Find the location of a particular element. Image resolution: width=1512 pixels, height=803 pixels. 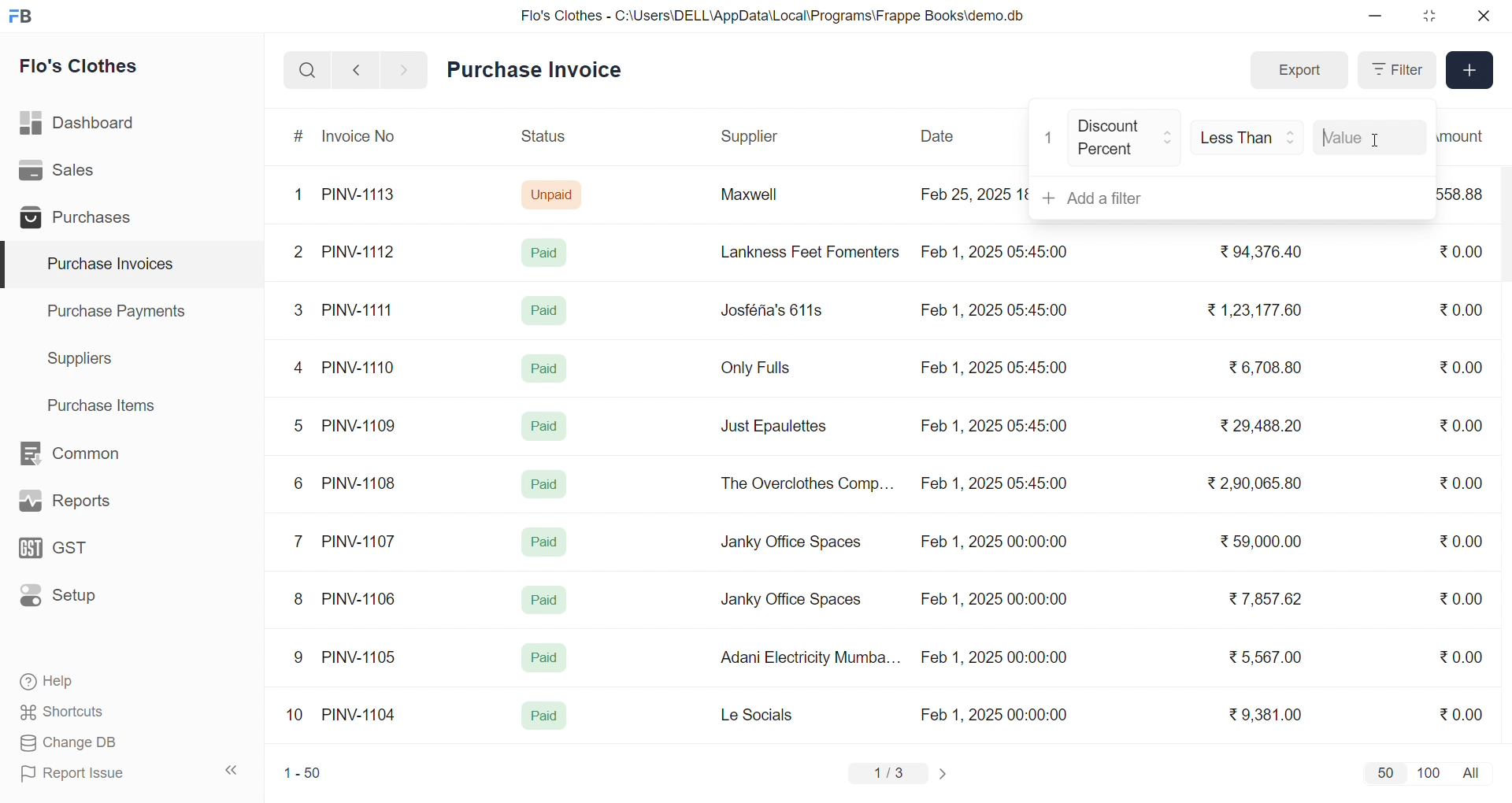

Common is located at coordinates (87, 454).